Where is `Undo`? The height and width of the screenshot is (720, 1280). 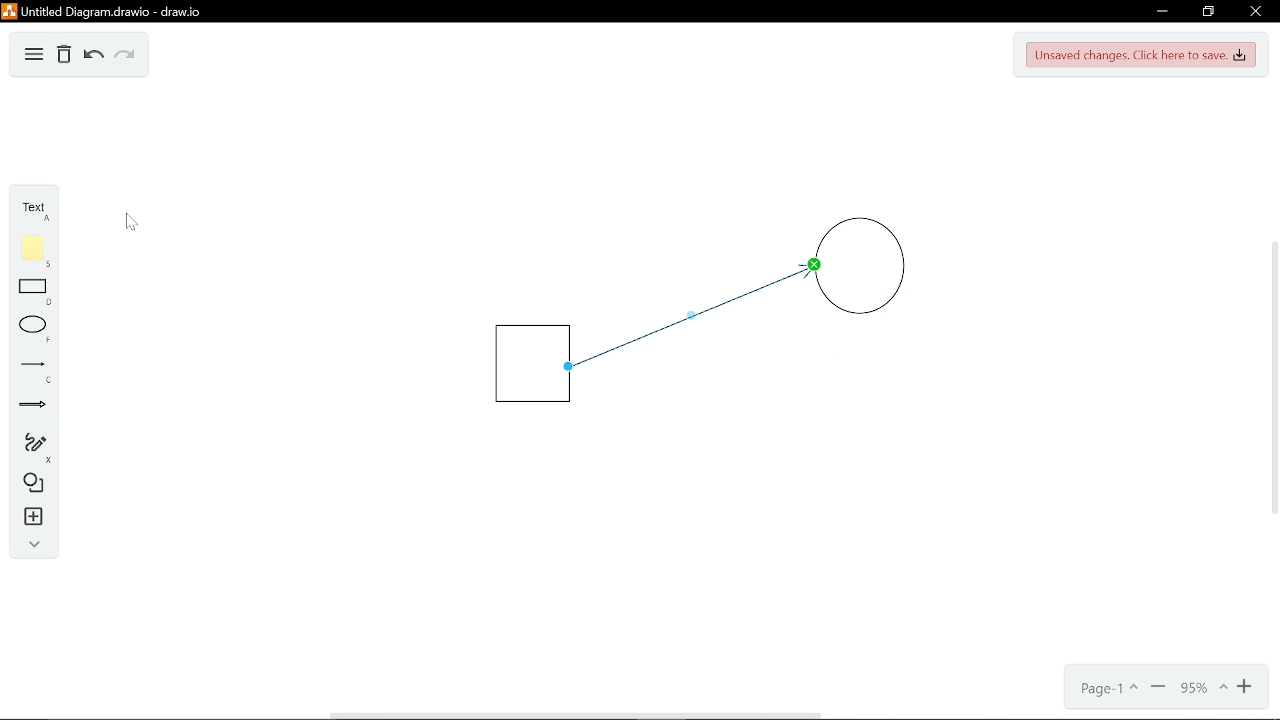 Undo is located at coordinates (93, 55).